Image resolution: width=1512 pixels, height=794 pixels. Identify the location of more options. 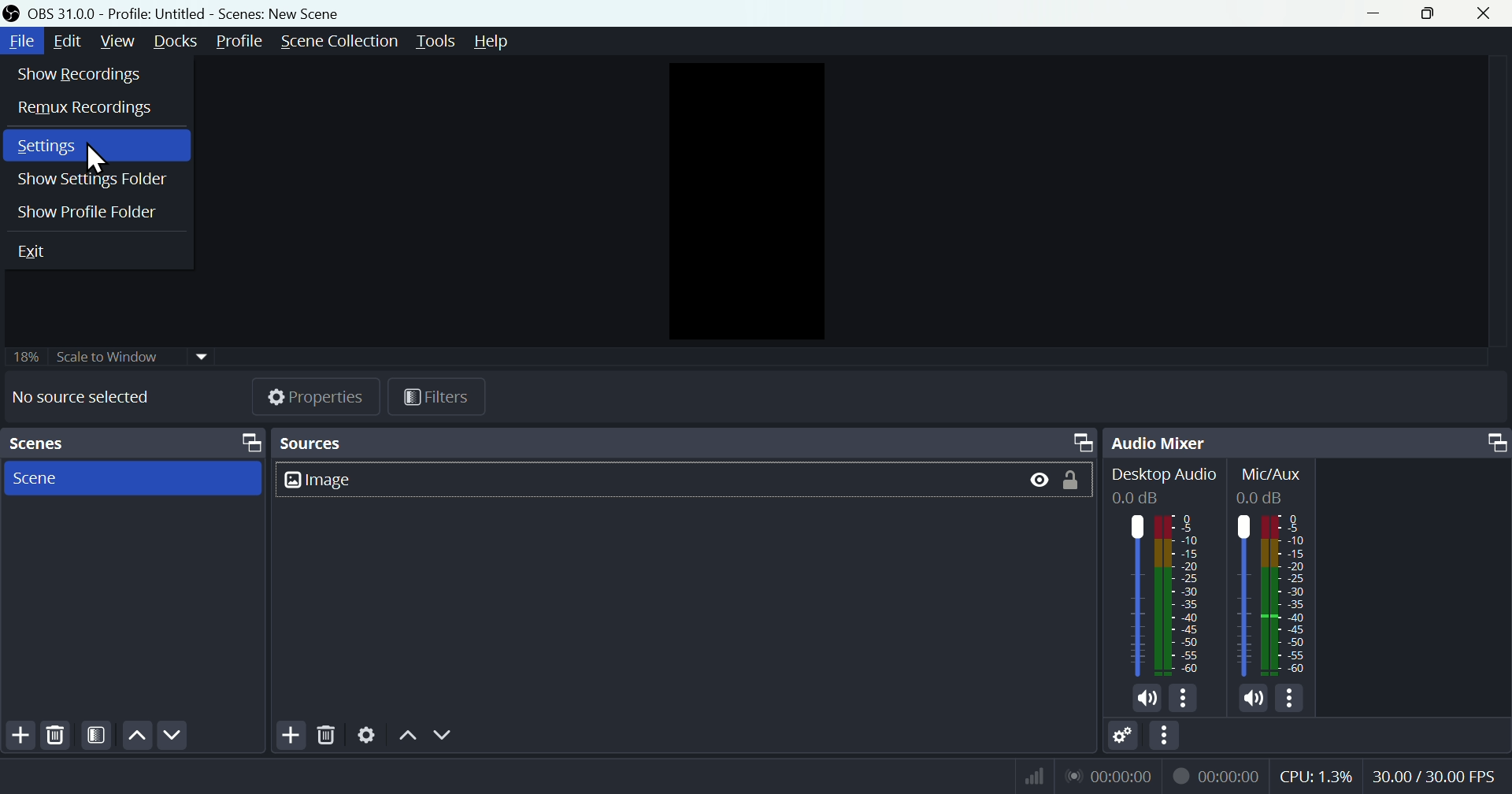
(1188, 699).